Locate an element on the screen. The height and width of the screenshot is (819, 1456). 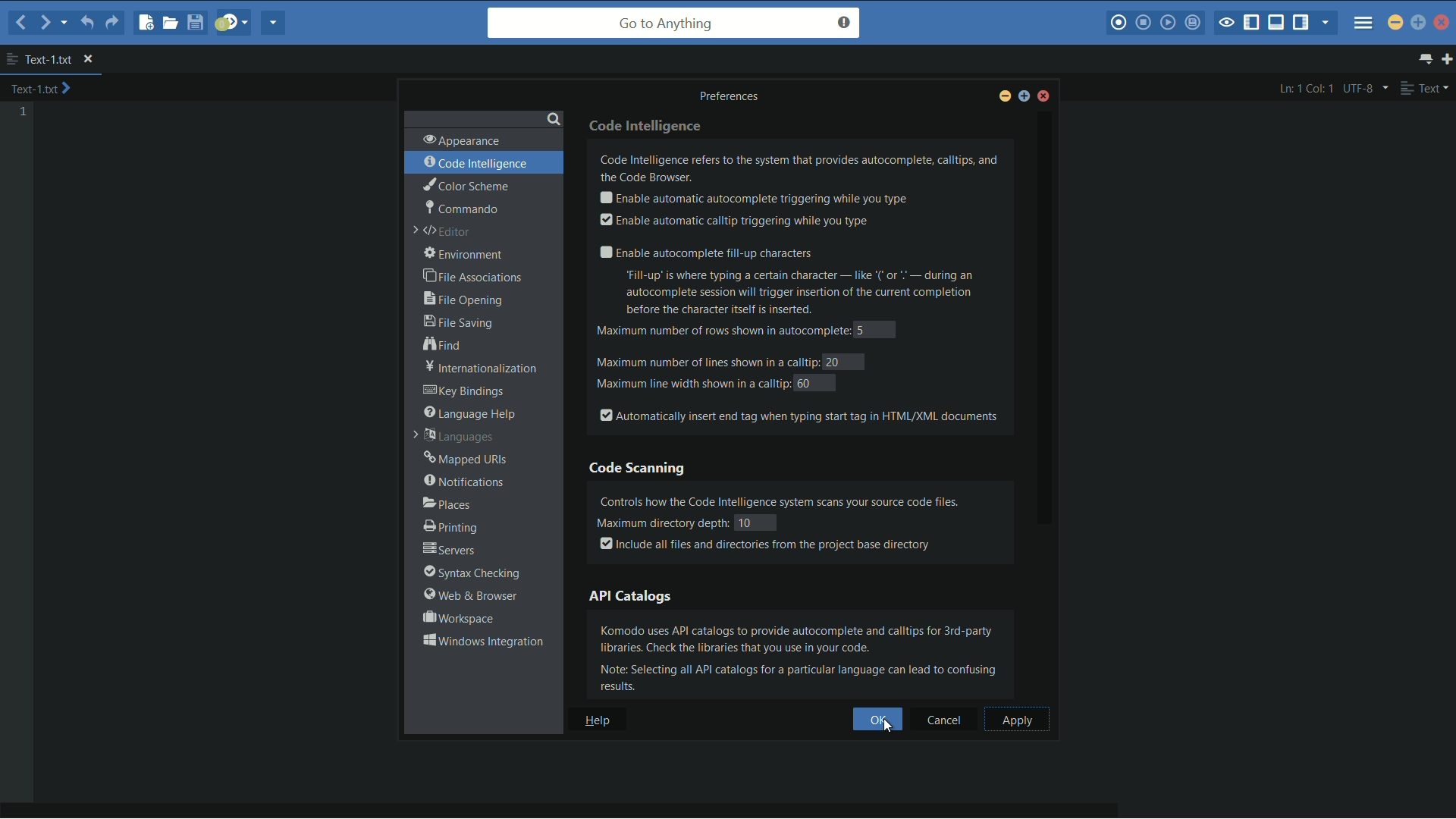
show/hide right panel is located at coordinates (1301, 23).